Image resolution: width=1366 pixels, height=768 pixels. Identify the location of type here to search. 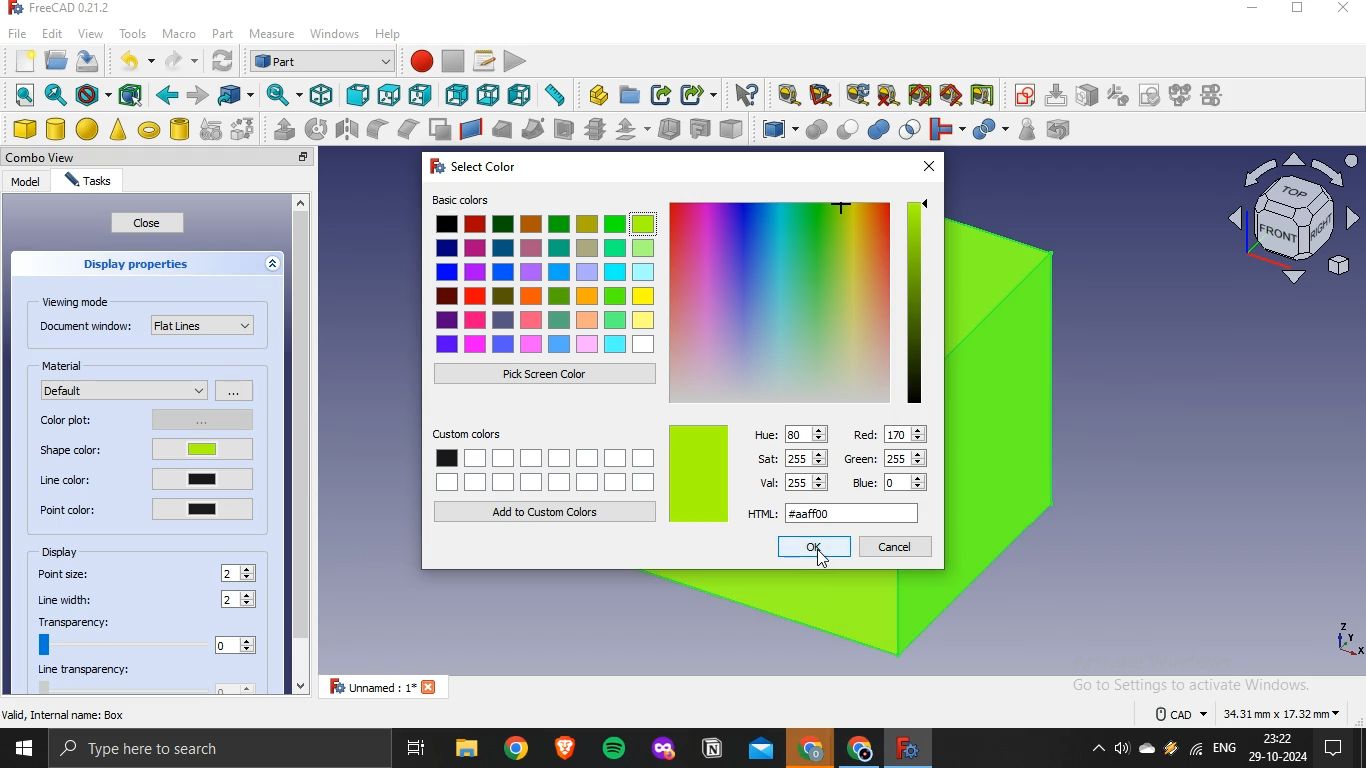
(147, 750).